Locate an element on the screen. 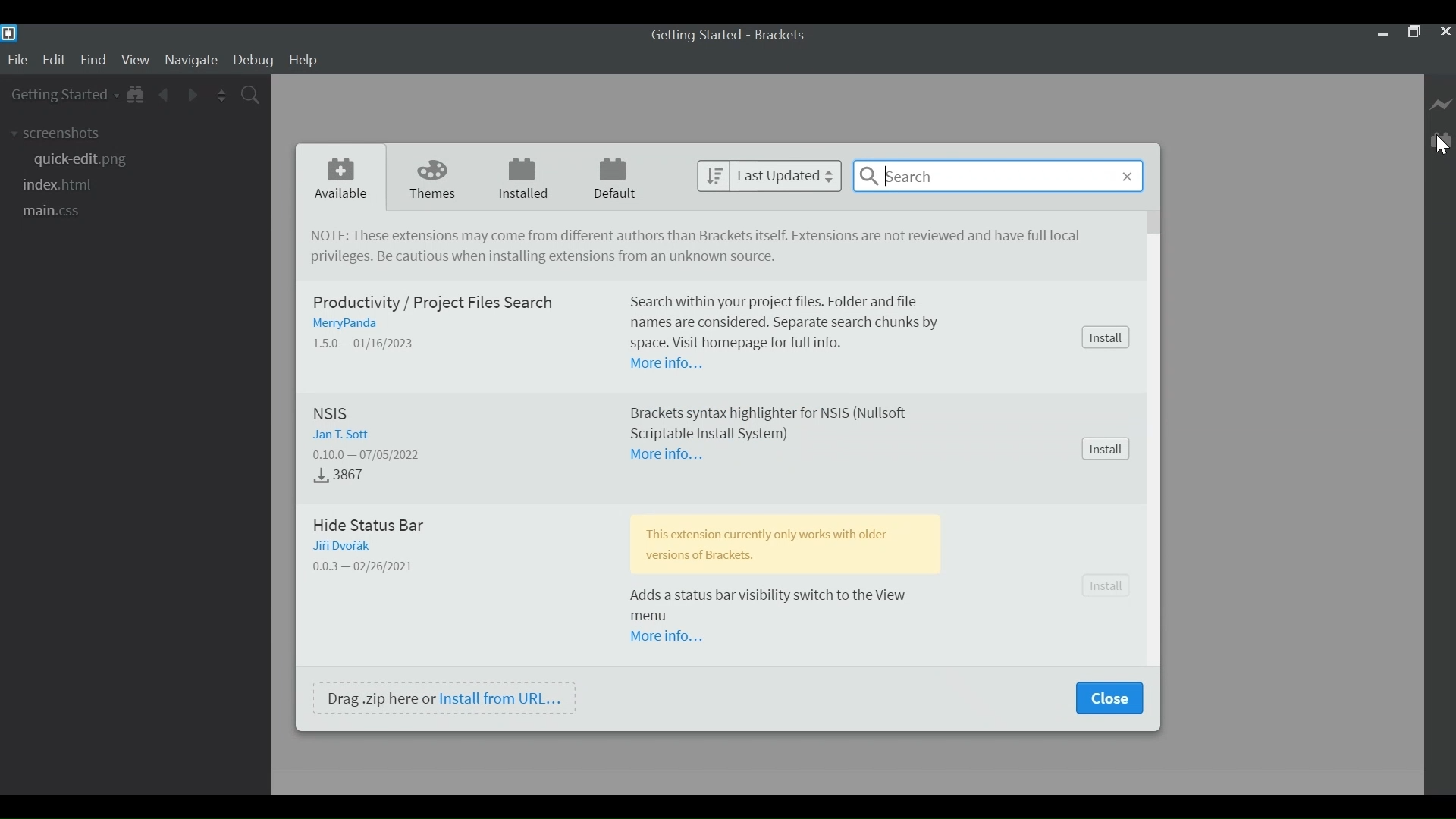 The width and height of the screenshot is (1456, 819). Theme is located at coordinates (436, 178).